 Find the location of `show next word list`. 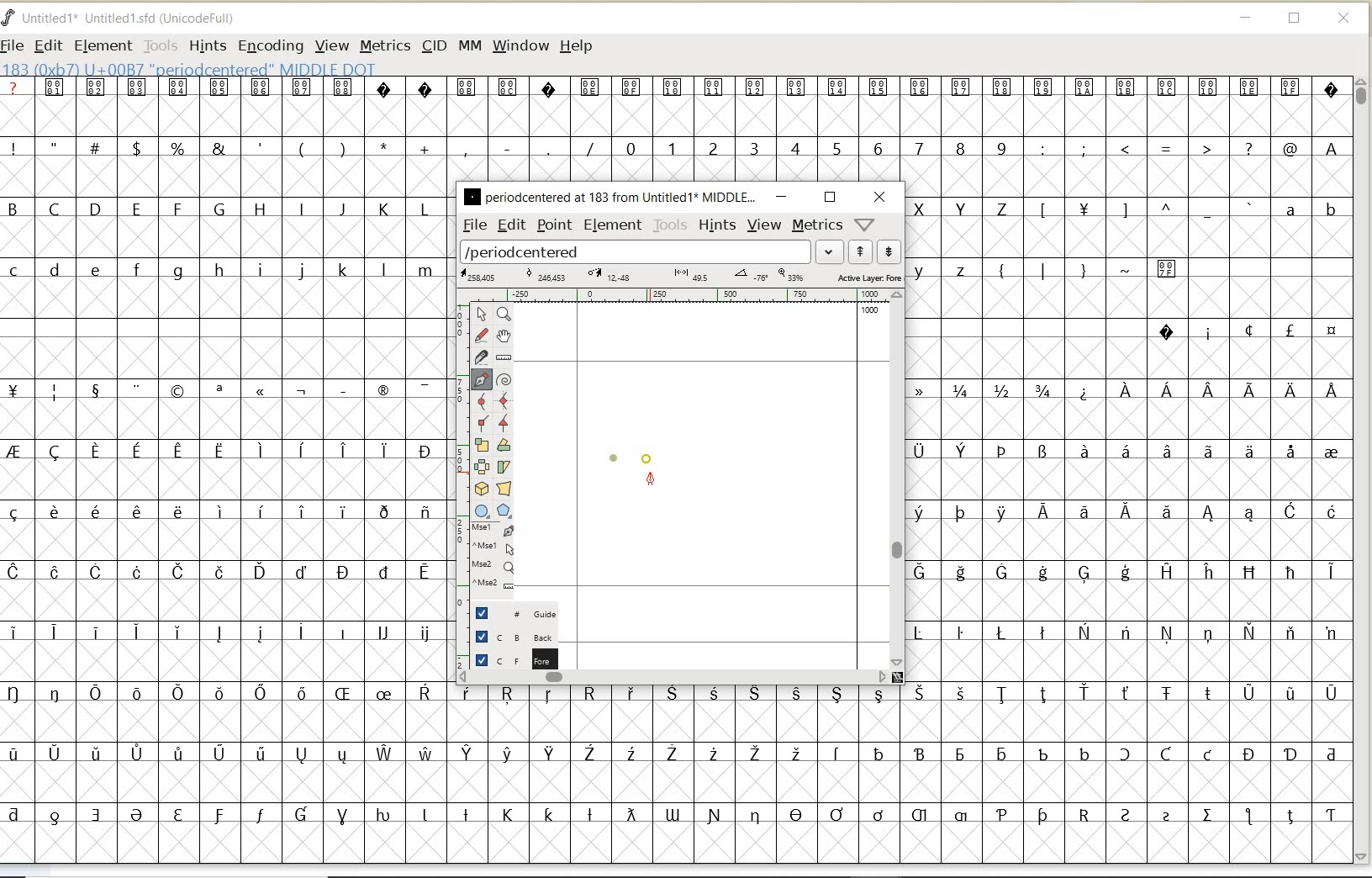

show next word list is located at coordinates (891, 252).